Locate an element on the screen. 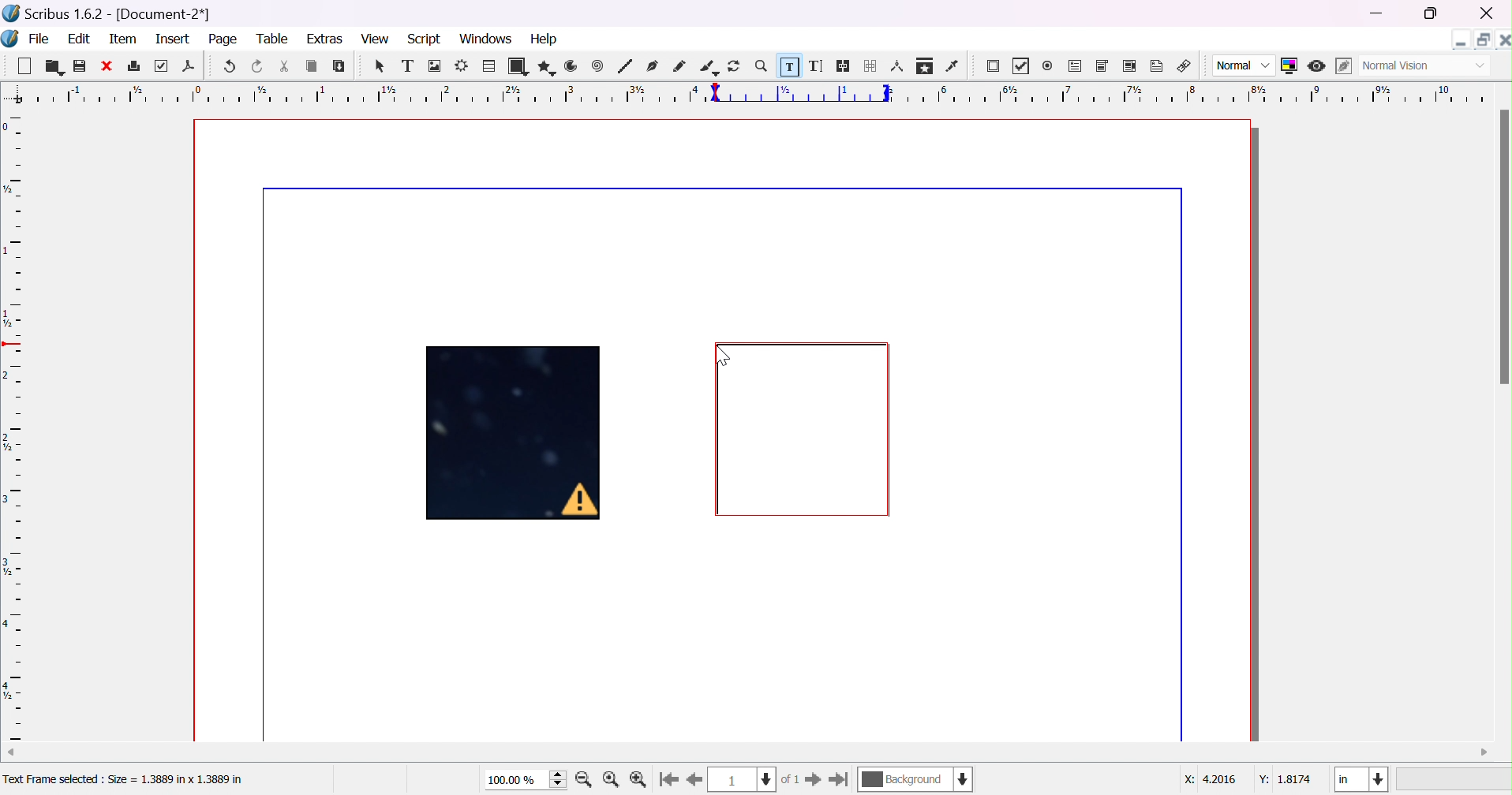 Image resolution: width=1512 pixels, height=795 pixels. go to previous page is located at coordinates (693, 781).